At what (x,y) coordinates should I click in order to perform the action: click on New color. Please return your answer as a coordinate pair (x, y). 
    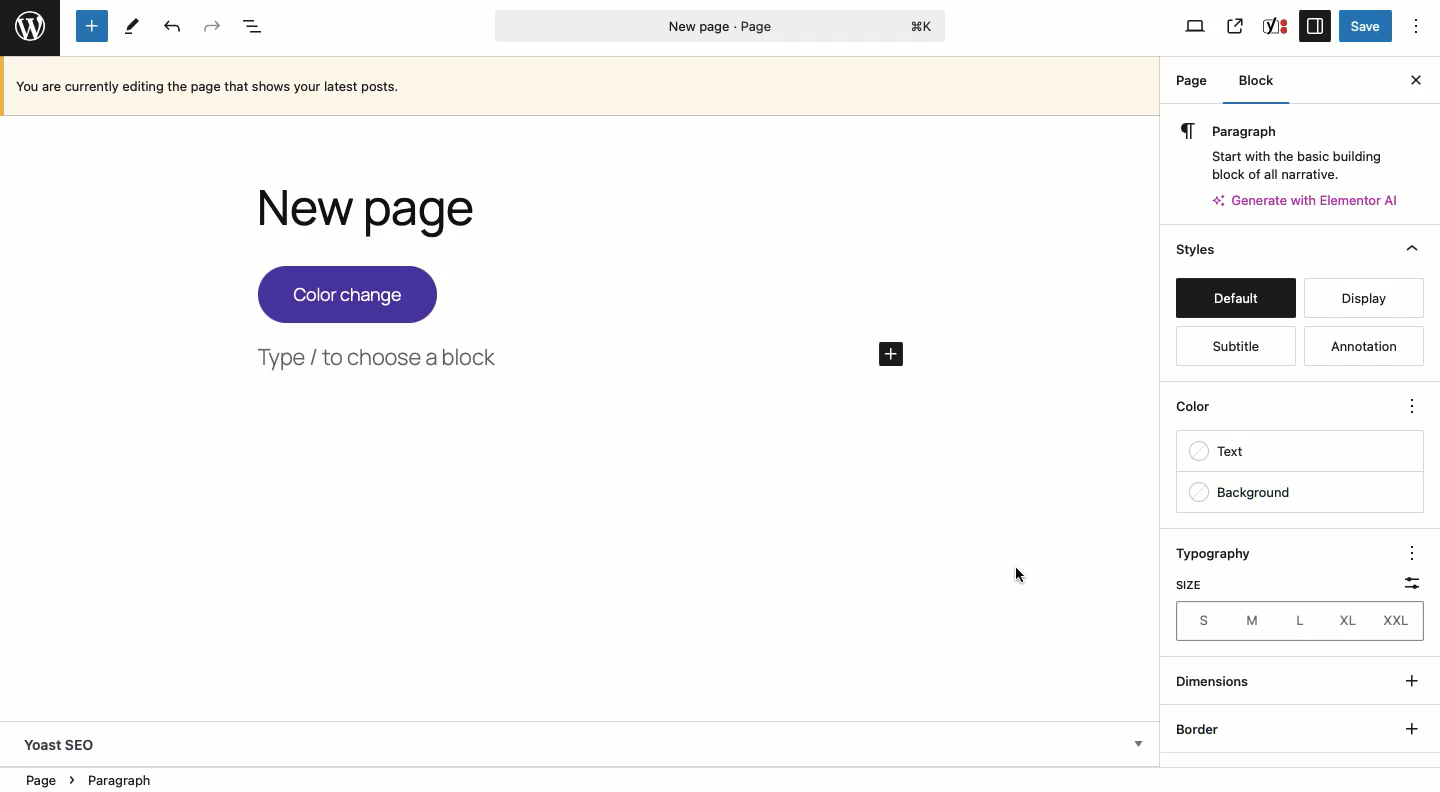
    Looking at the image, I should click on (351, 294).